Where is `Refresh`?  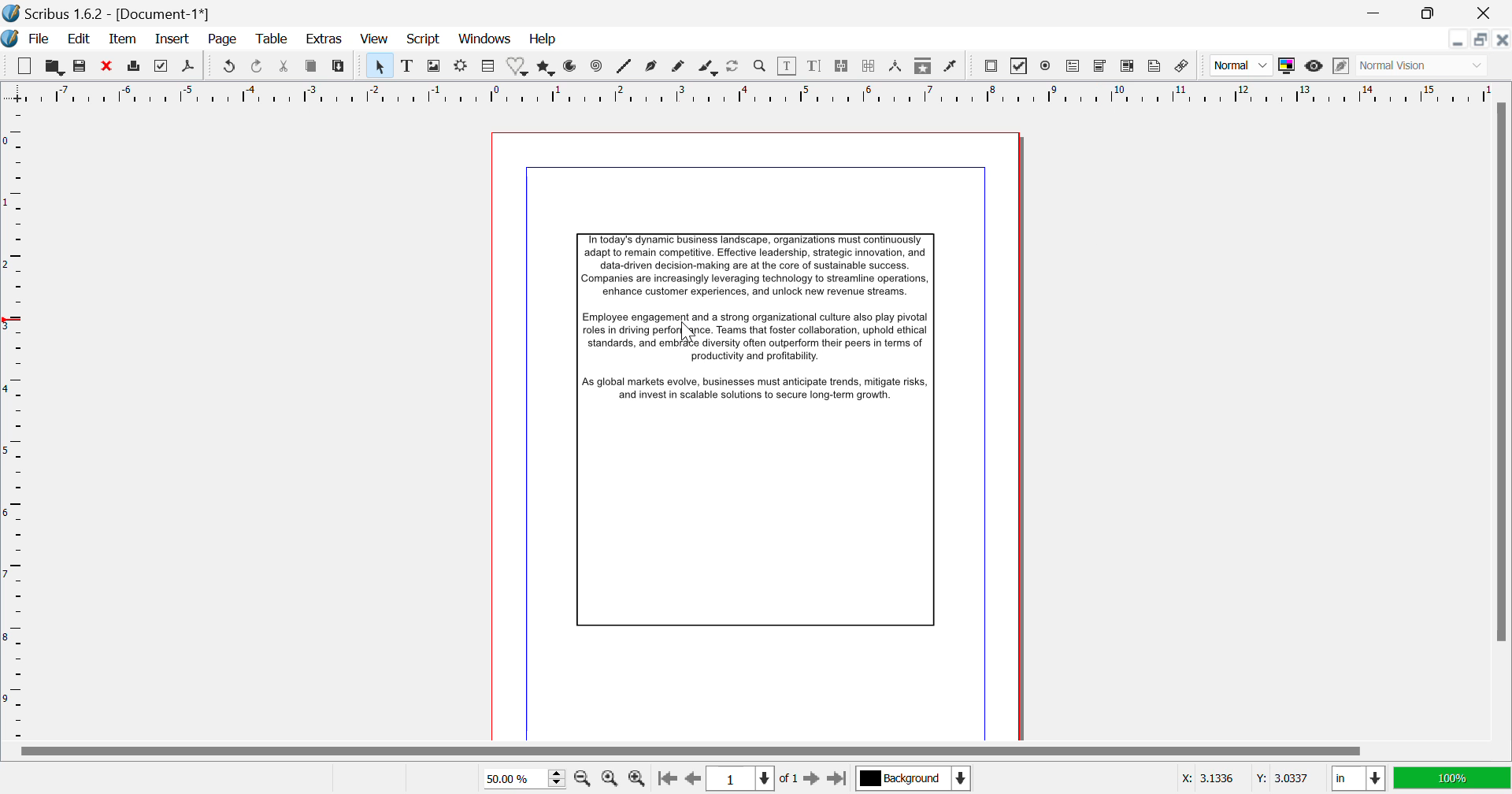
Refresh is located at coordinates (736, 67).